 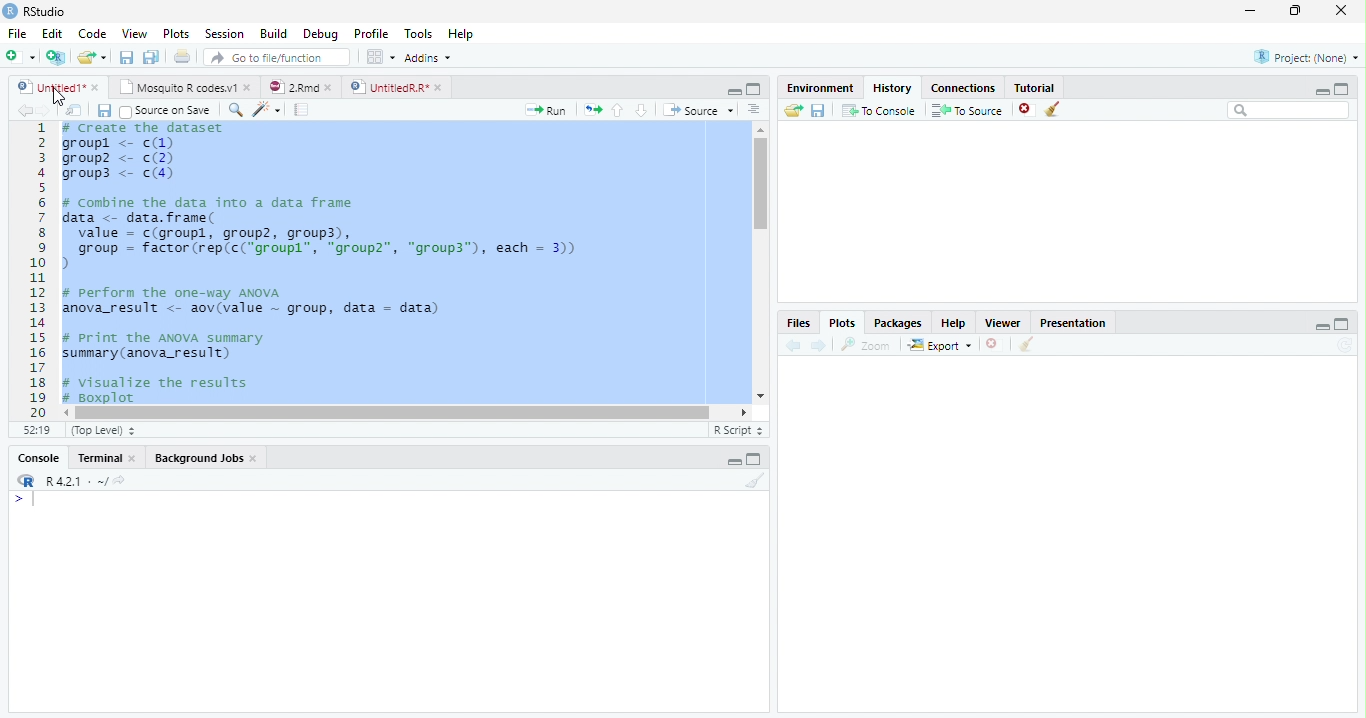 I want to click on Minimize, so click(x=1322, y=328).